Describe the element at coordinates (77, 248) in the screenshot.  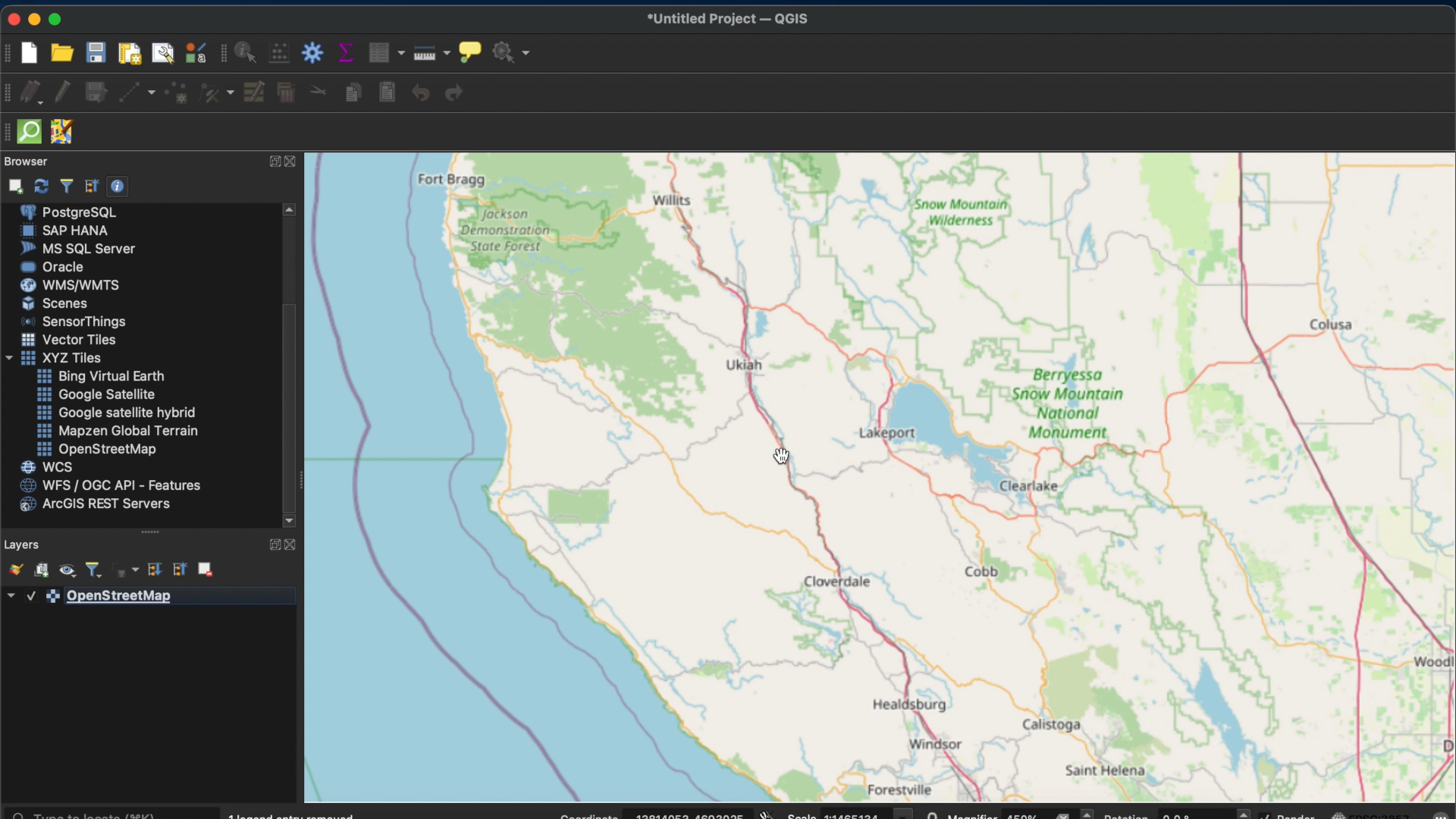
I see `MS sql server` at that location.